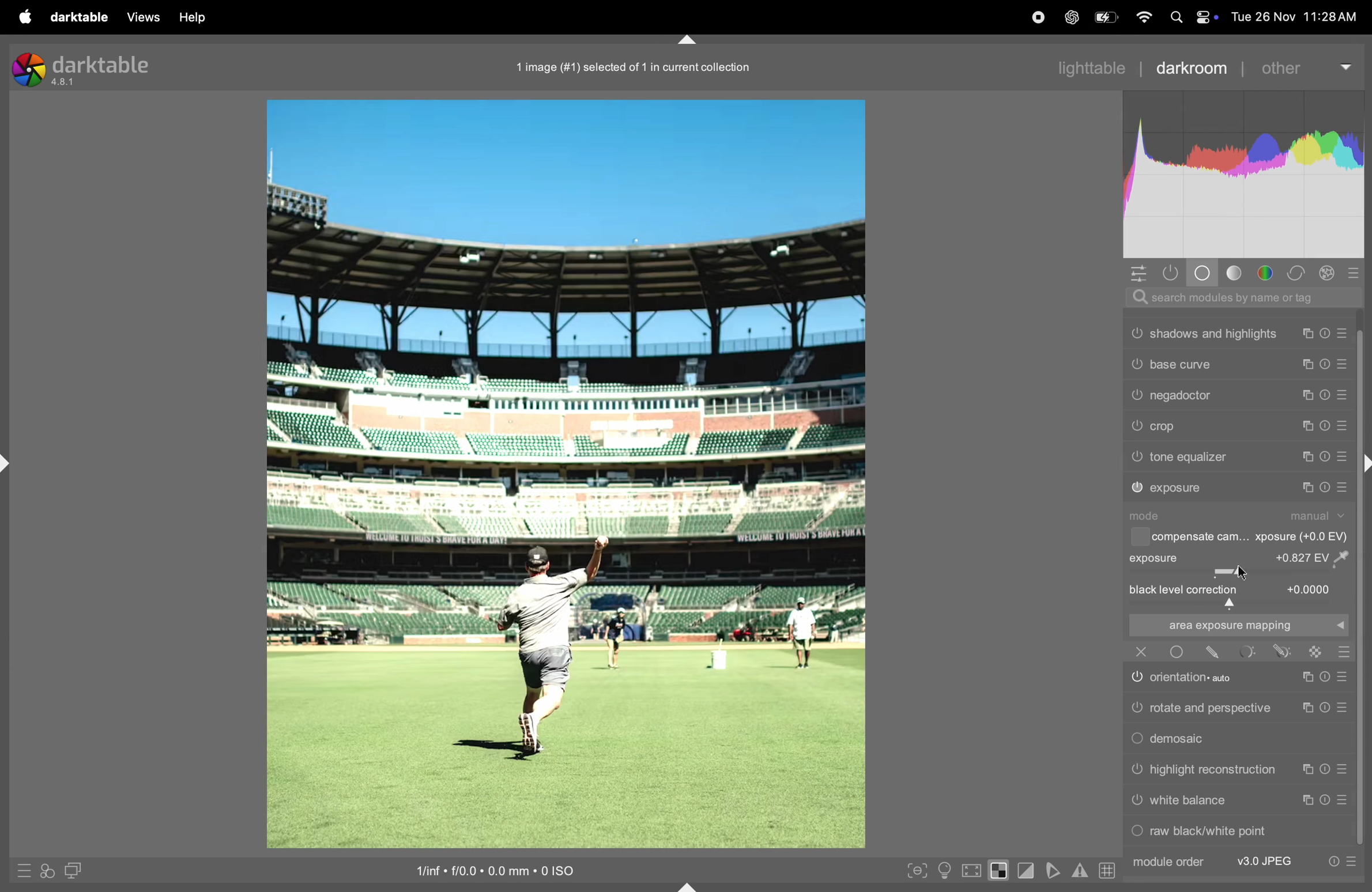  I want to click on help, so click(196, 17).